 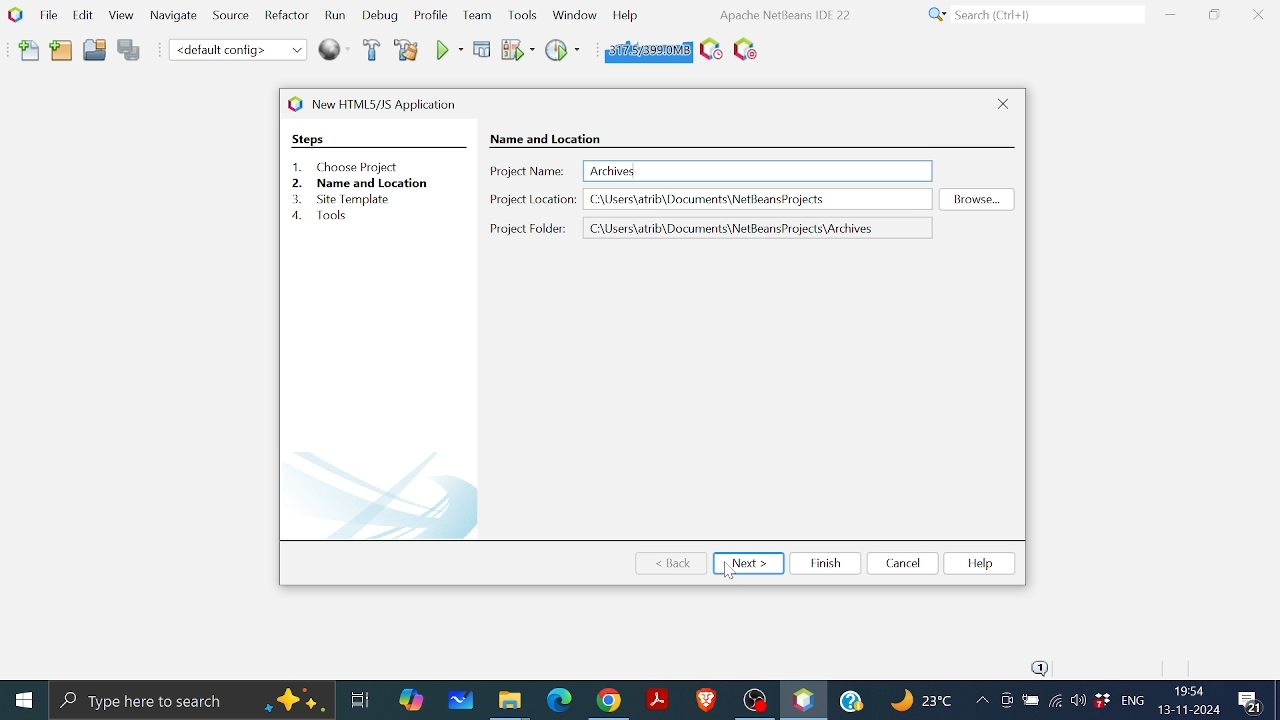 What do you see at coordinates (228, 19) in the screenshot?
I see `Source` at bounding box center [228, 19].